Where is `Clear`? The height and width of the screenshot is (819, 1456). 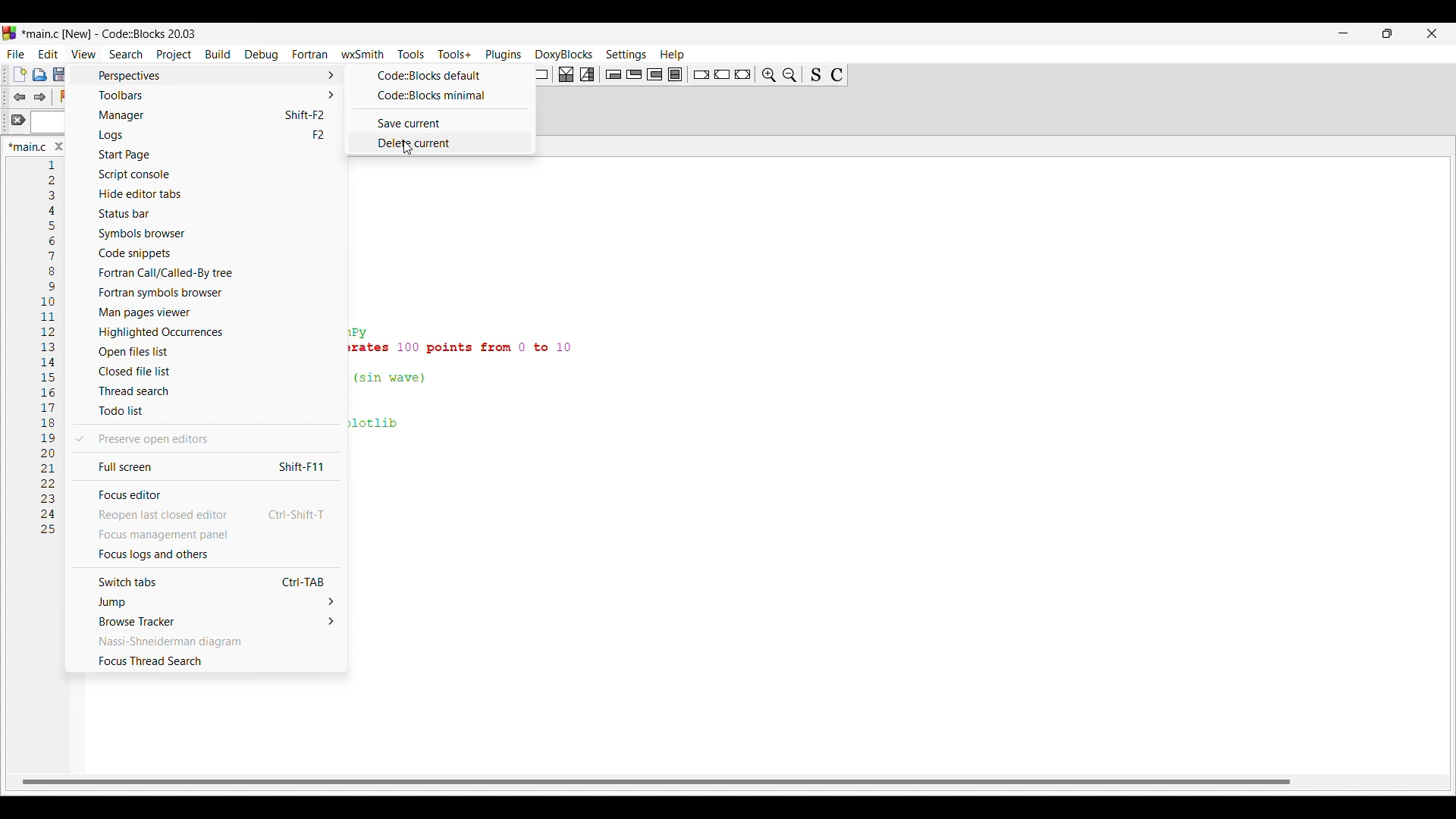 Clear is located at coordinates (18, 120).